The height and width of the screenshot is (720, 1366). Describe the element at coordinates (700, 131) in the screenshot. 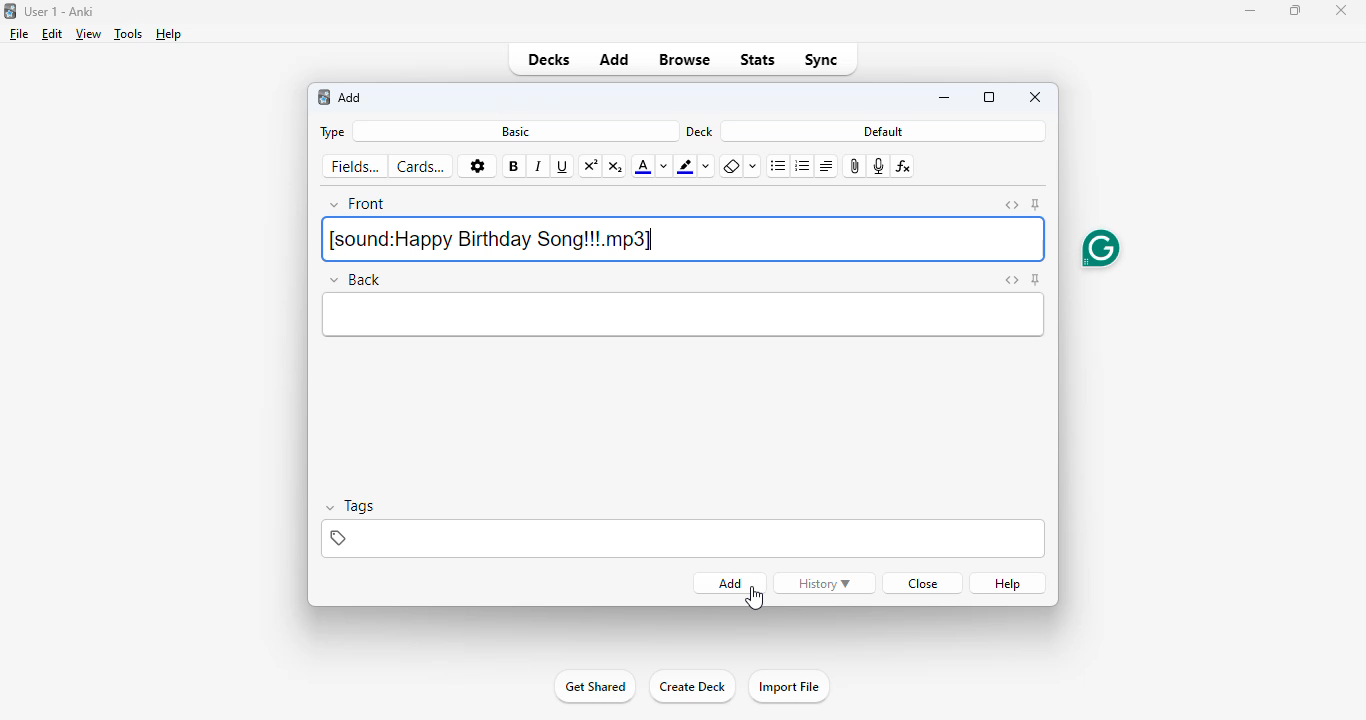

I see `deck` at that location.